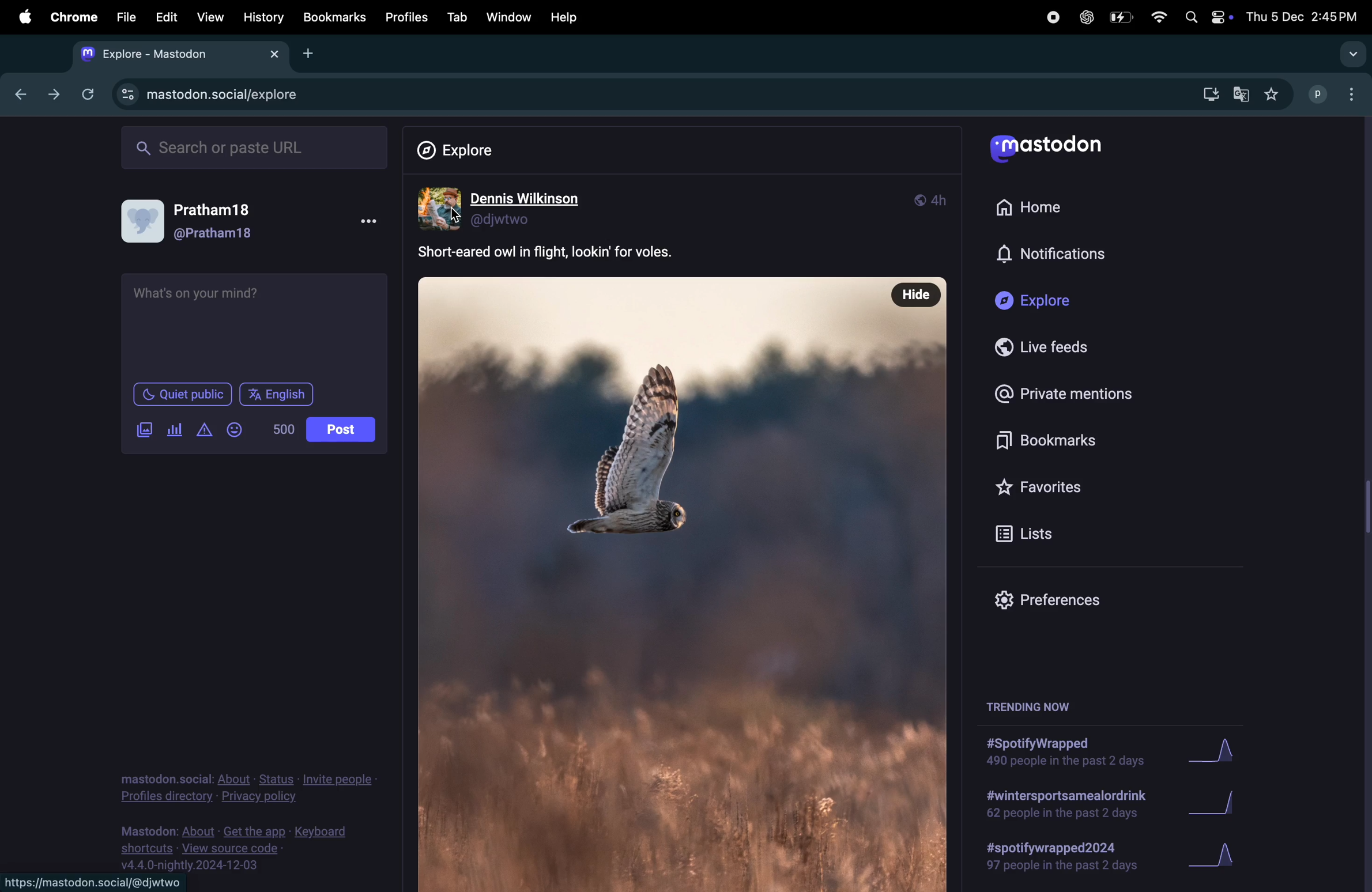 This screenshot has height=892, width=1372. What do you see at coordinates (1046, 300) in the screenshot?
I see `Explore` at bounding box center [1046, 300].